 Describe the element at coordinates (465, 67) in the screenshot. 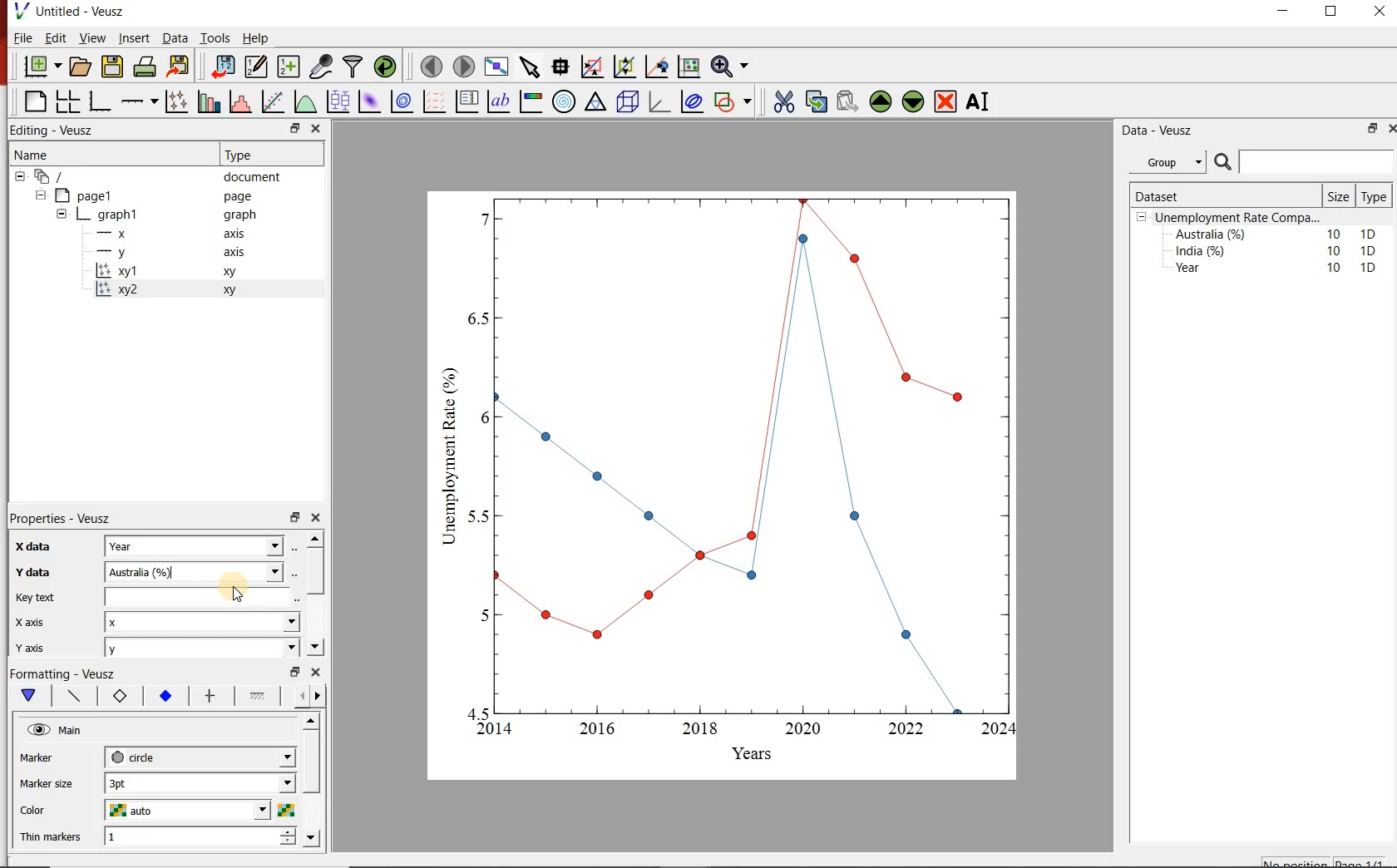

I see `move to next page` at that location.